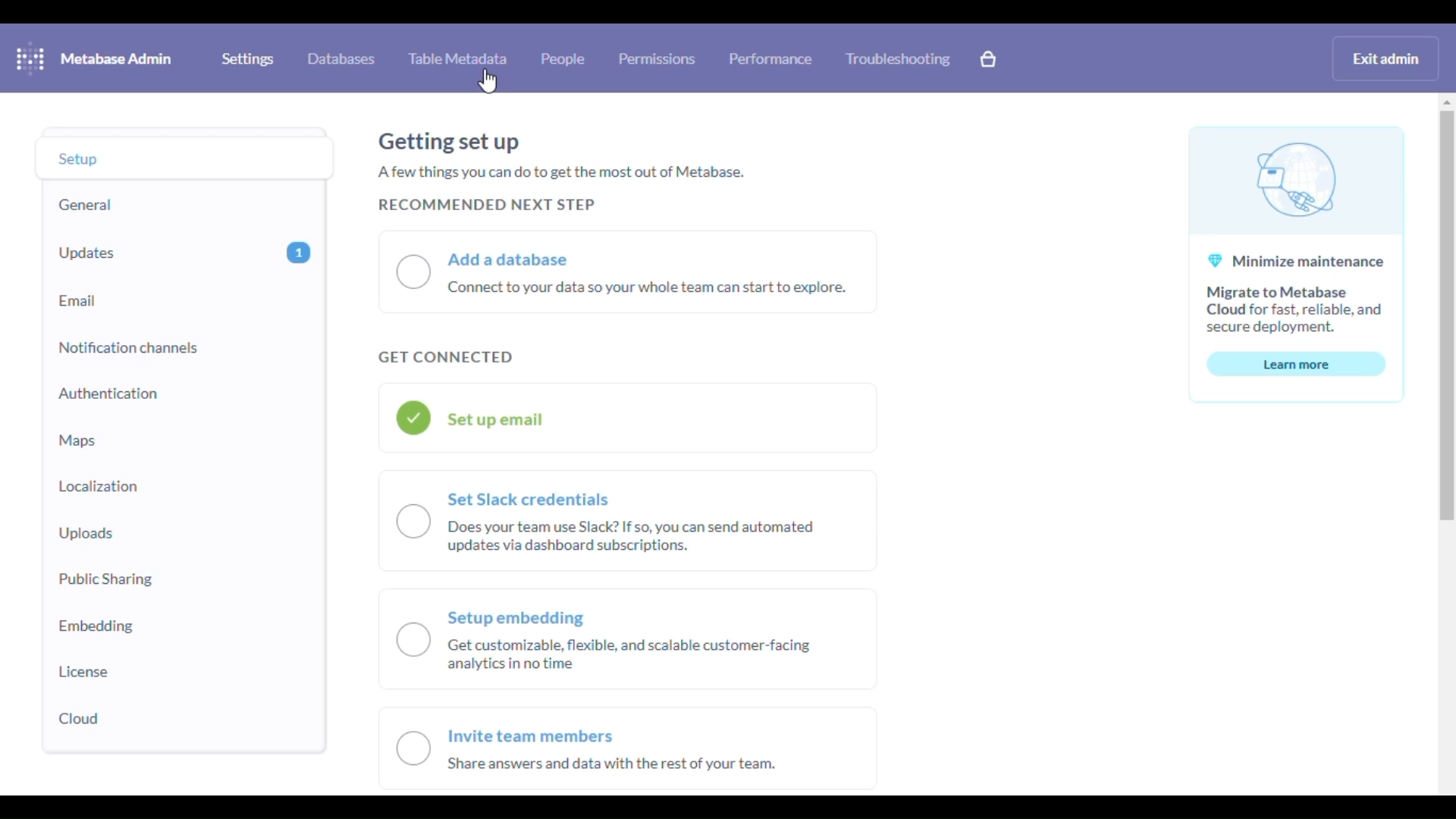  What do you see at coordinates (458, 58) in the screenshot?
I see `table metadata` at bounding box center [458, 58].